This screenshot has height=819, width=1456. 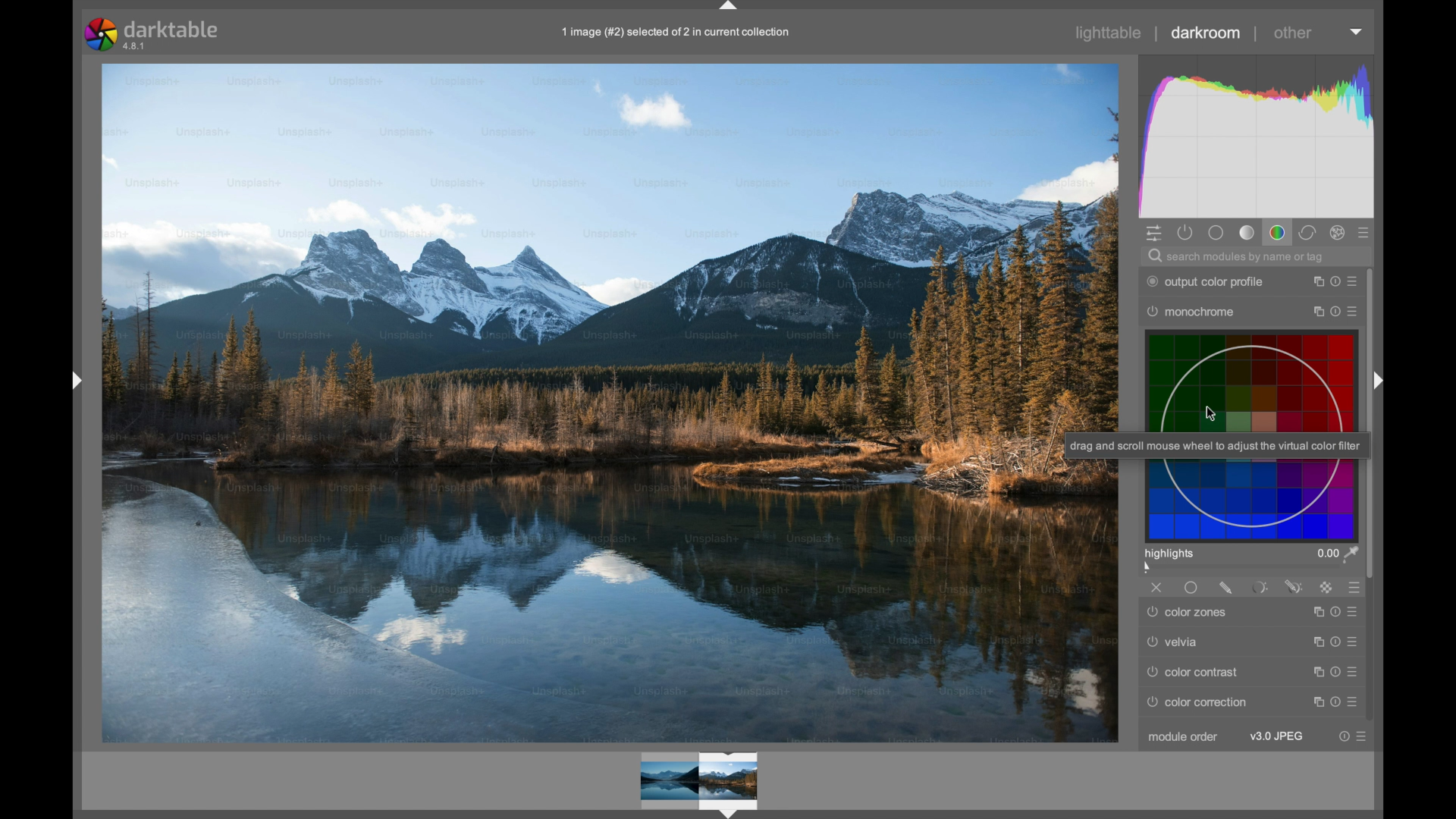 I want to click on show only active modules, so click(x=1187, y=234).